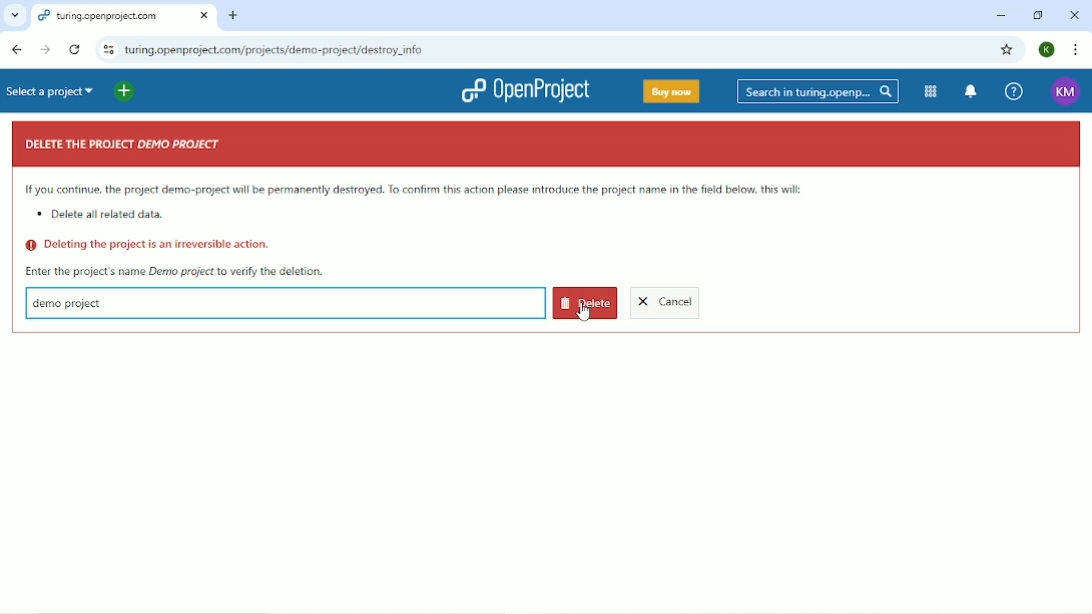  Describe the element at coordinates (416, 190) in the screenshot. I see `If you continue the project demo-project will be permanently destroyed. To confirm this action please introduce the project name below. This will:` at that location.